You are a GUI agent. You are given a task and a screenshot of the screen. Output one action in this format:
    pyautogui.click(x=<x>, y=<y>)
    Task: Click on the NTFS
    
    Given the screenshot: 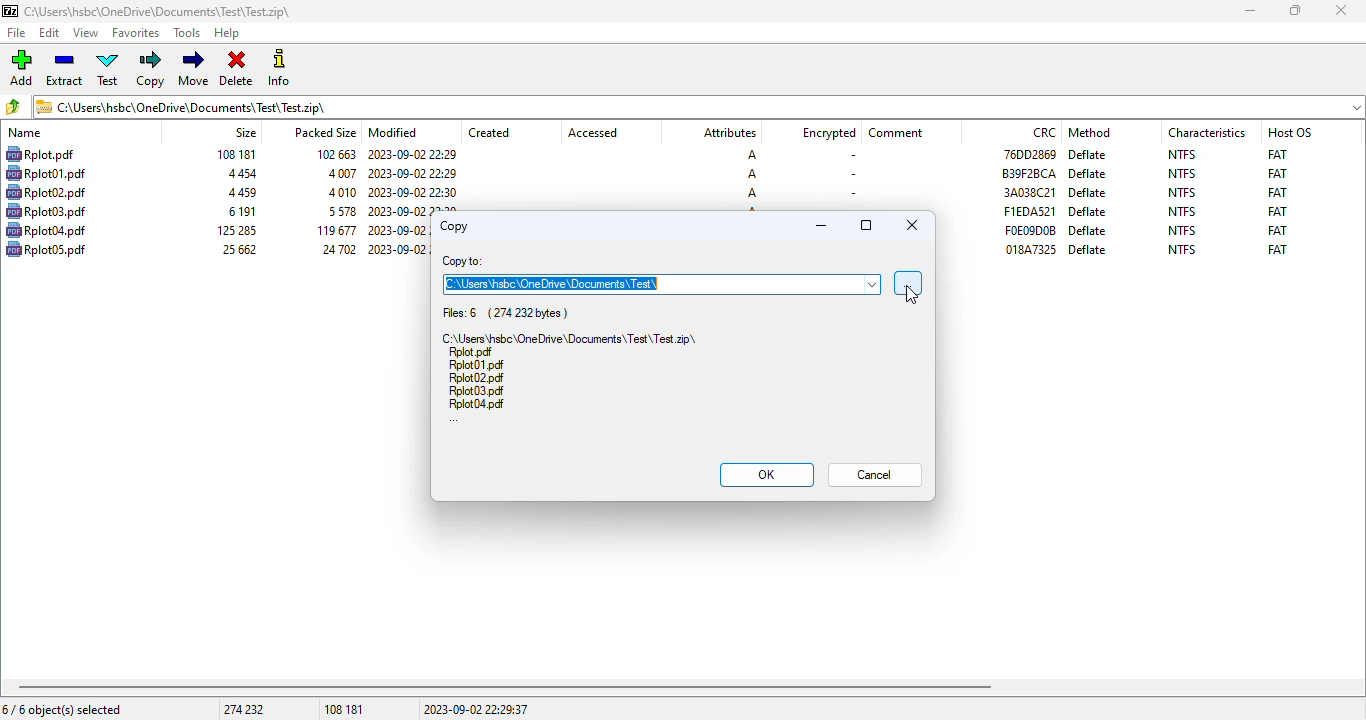 What is the action you would take?
    pyautogui.click(x=1182, y=154)
    